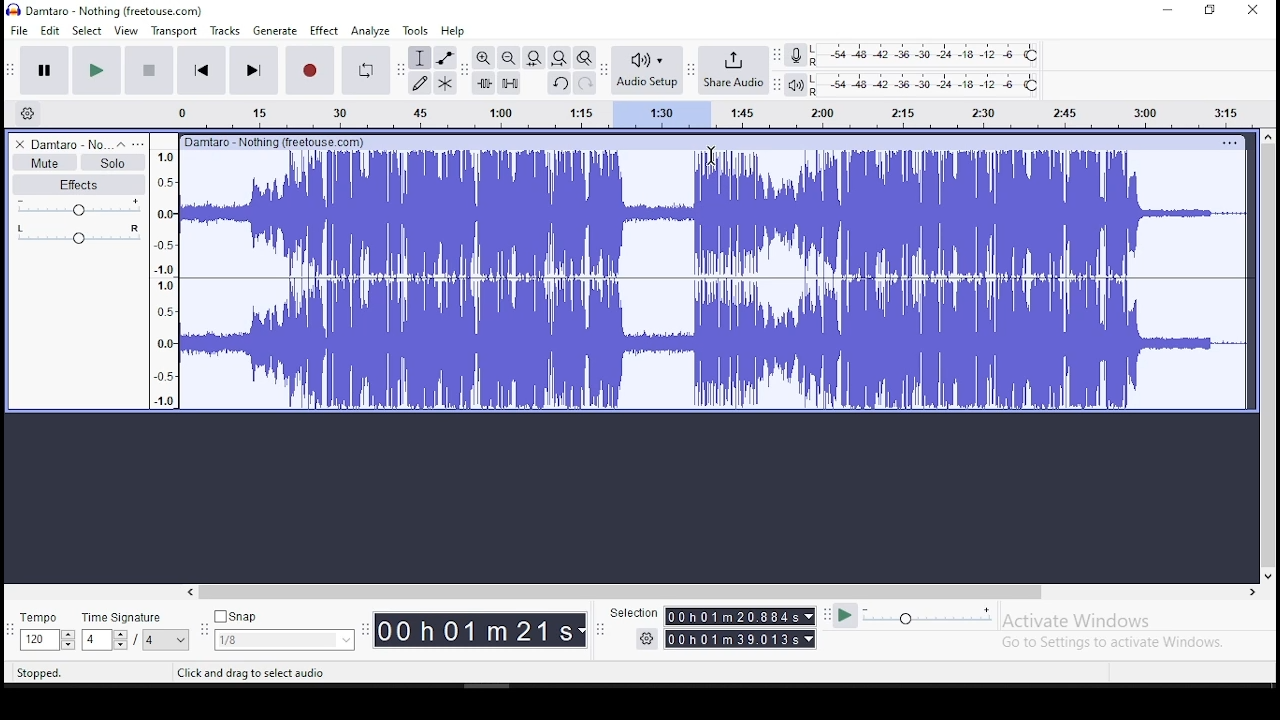 The width and height of the screenshot is (1280, 720). What do you see at coordinates (533, 56) in the screenshot?
I see `fit selection to width` at bounding box center [533, 56].